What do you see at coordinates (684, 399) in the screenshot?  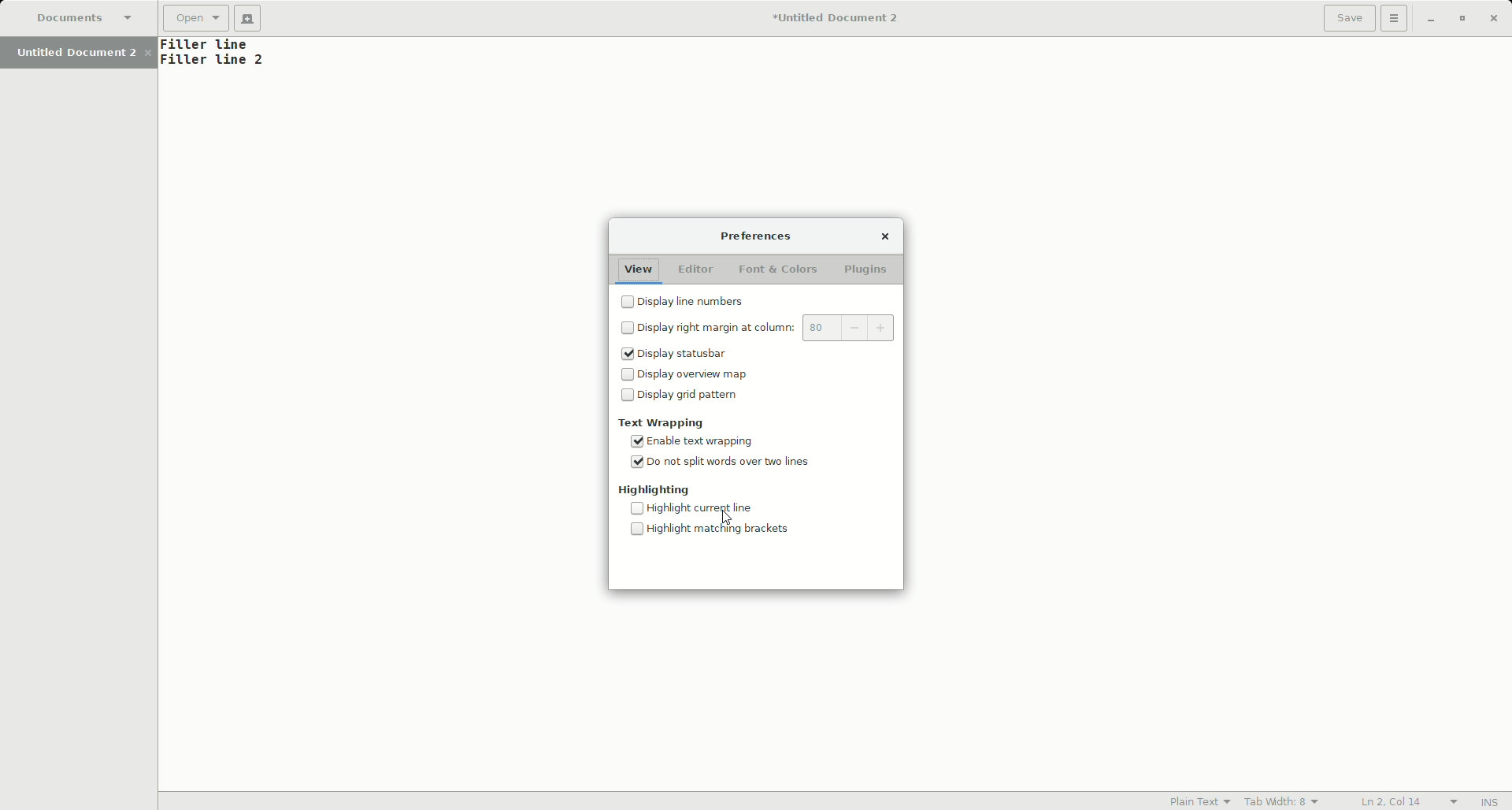 I see `Display grid pattern` at bounding box center [684, 399].